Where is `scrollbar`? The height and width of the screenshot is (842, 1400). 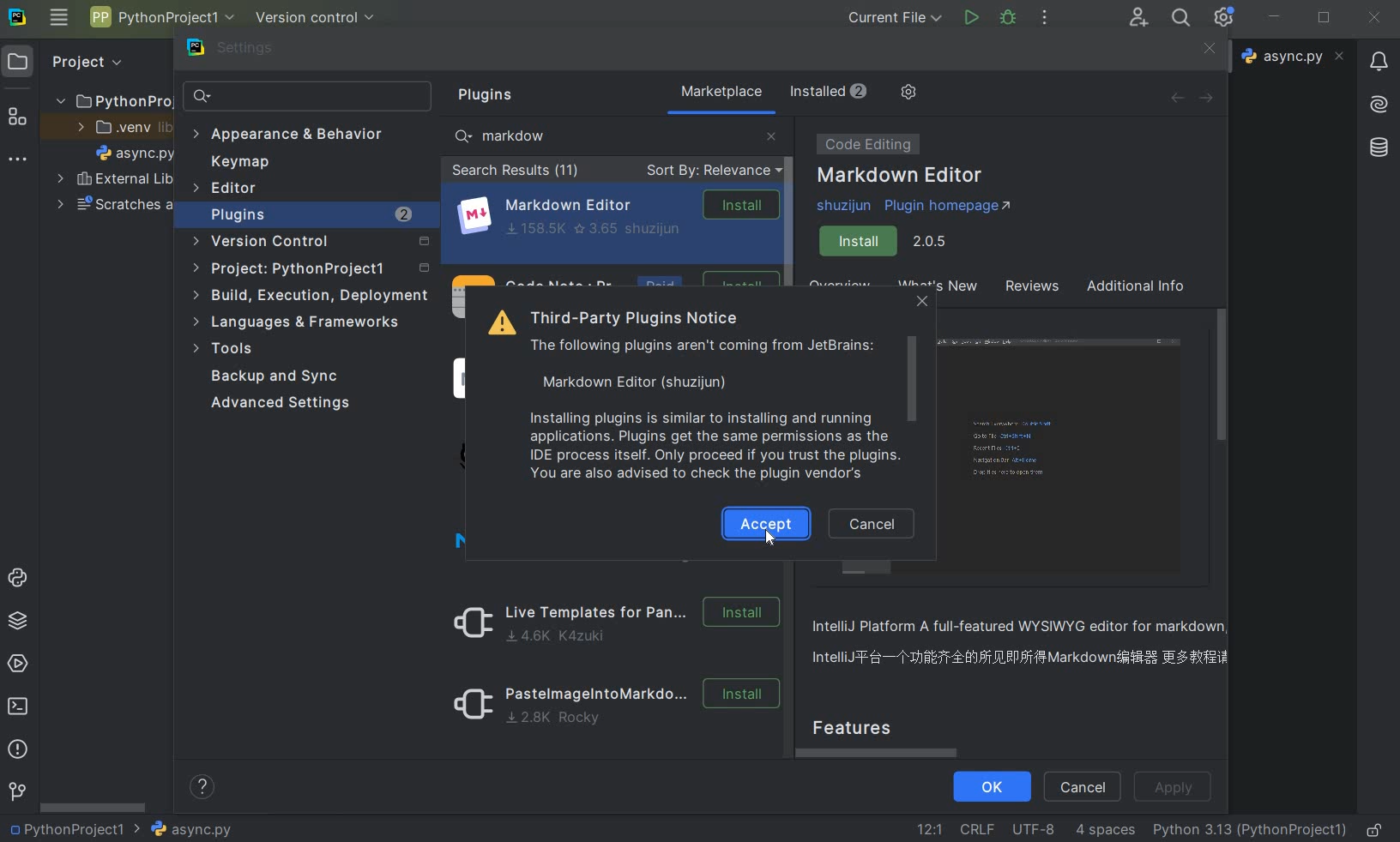
scrollbar is located at coordinates (792, 213).